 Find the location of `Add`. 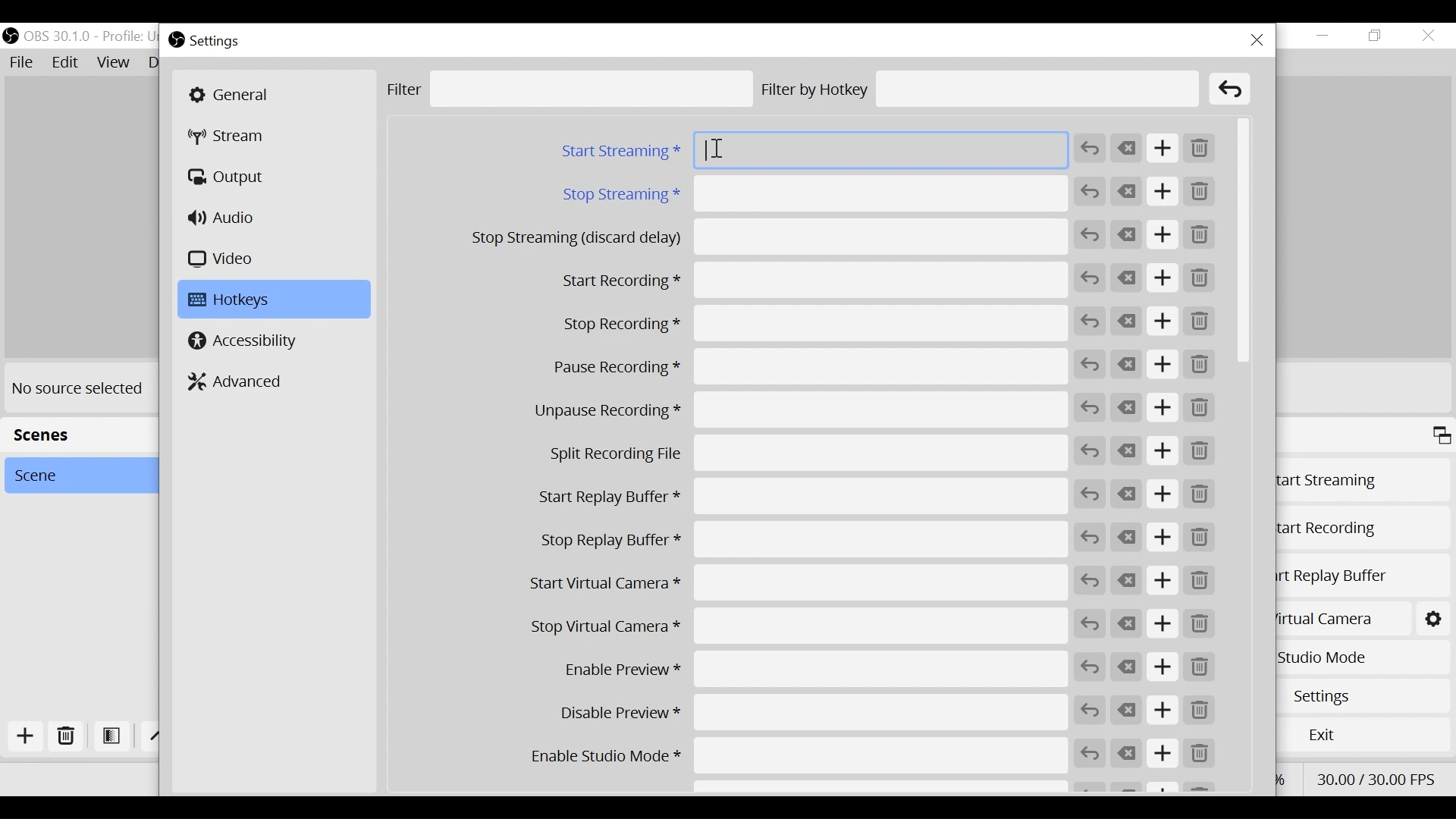

Add is located at coordinates (1163, 236).